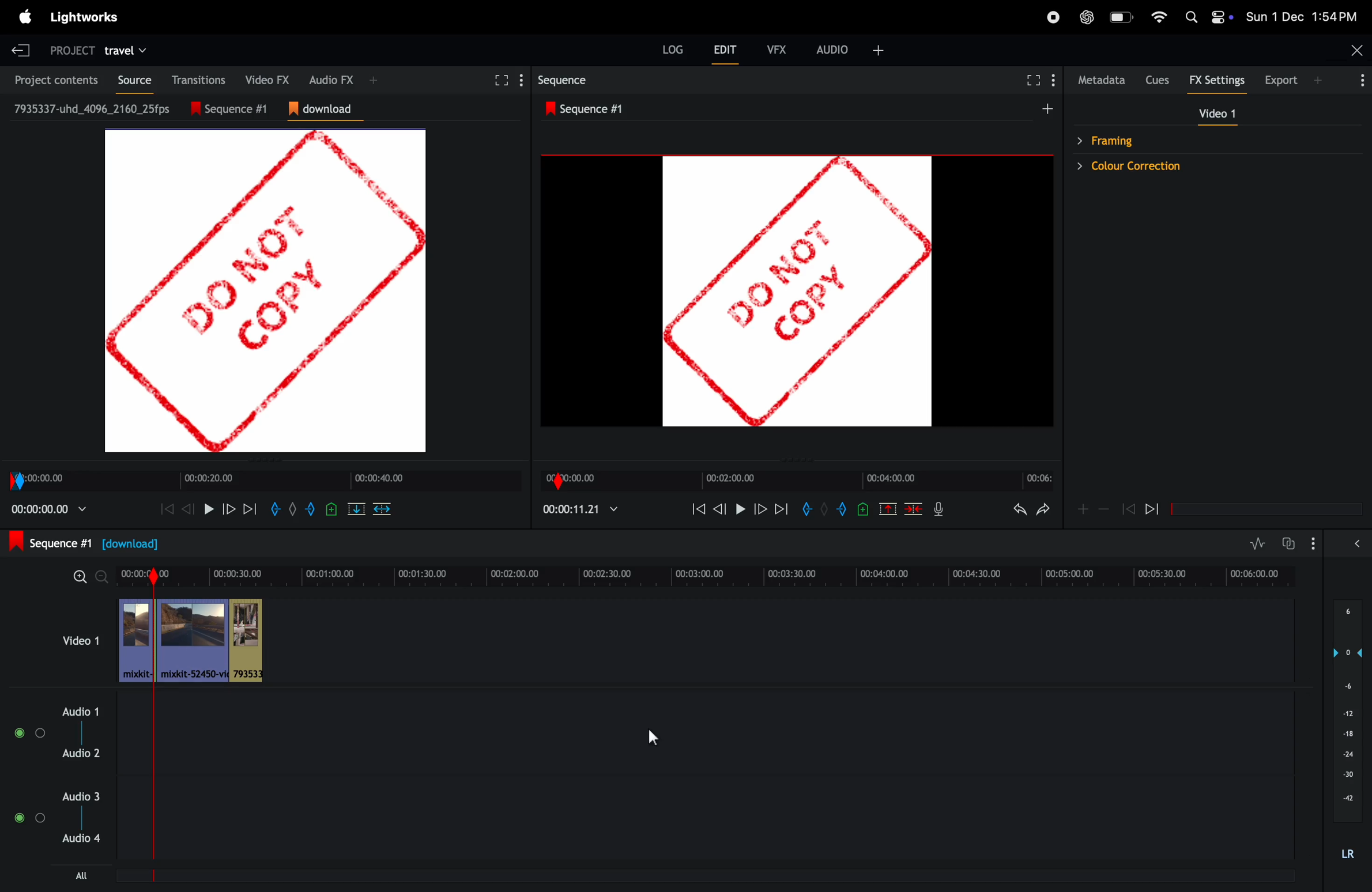 The height and width of the screenshot is (892, 1372). What do you see at coordinates (1267, 509) in the screenshot?
I see `Horizontal slide bar` at bounding box center [1267, 509].